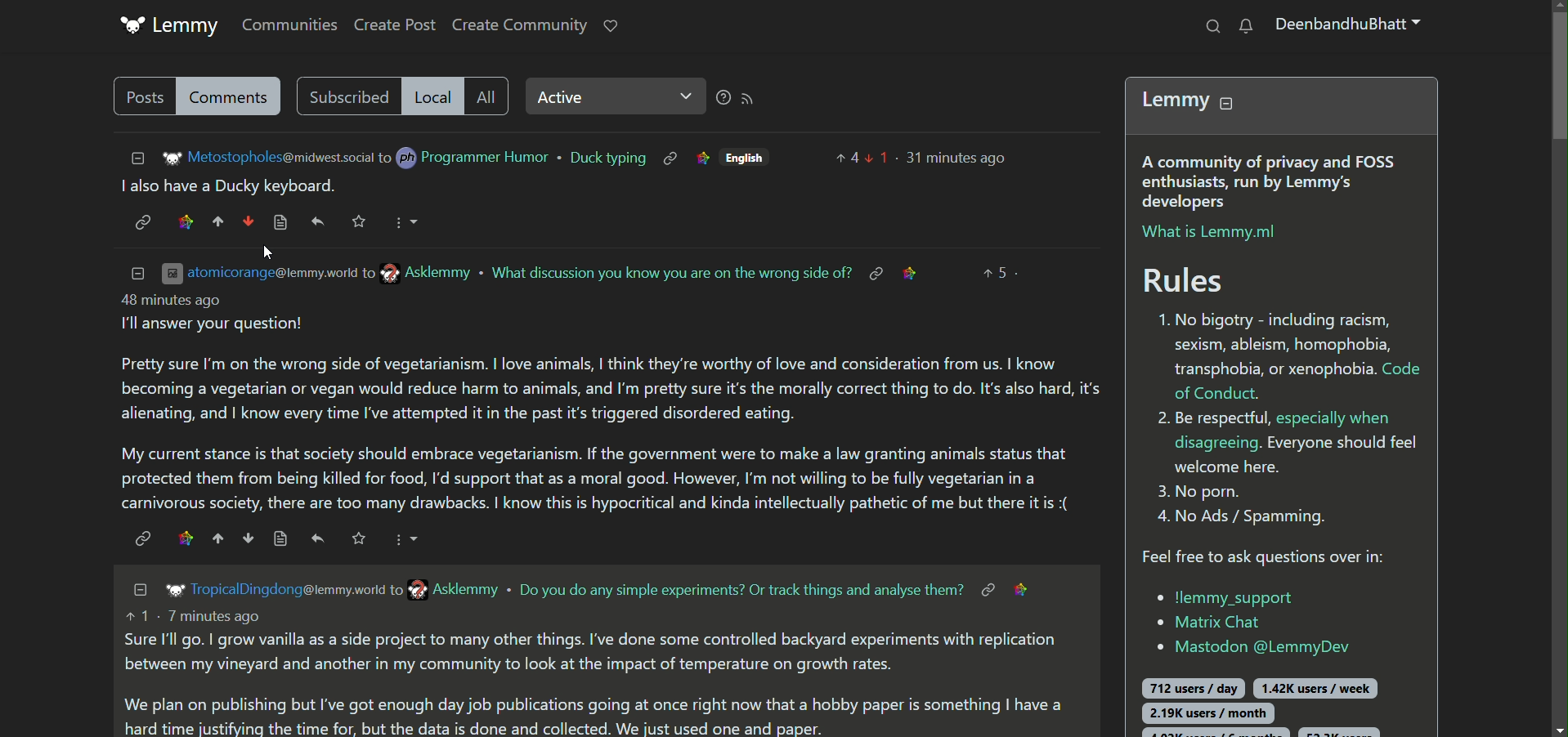  What do you see at coordinates (289, 589) in the screenshot?
I see `user id` at bounding box center [289, 589].